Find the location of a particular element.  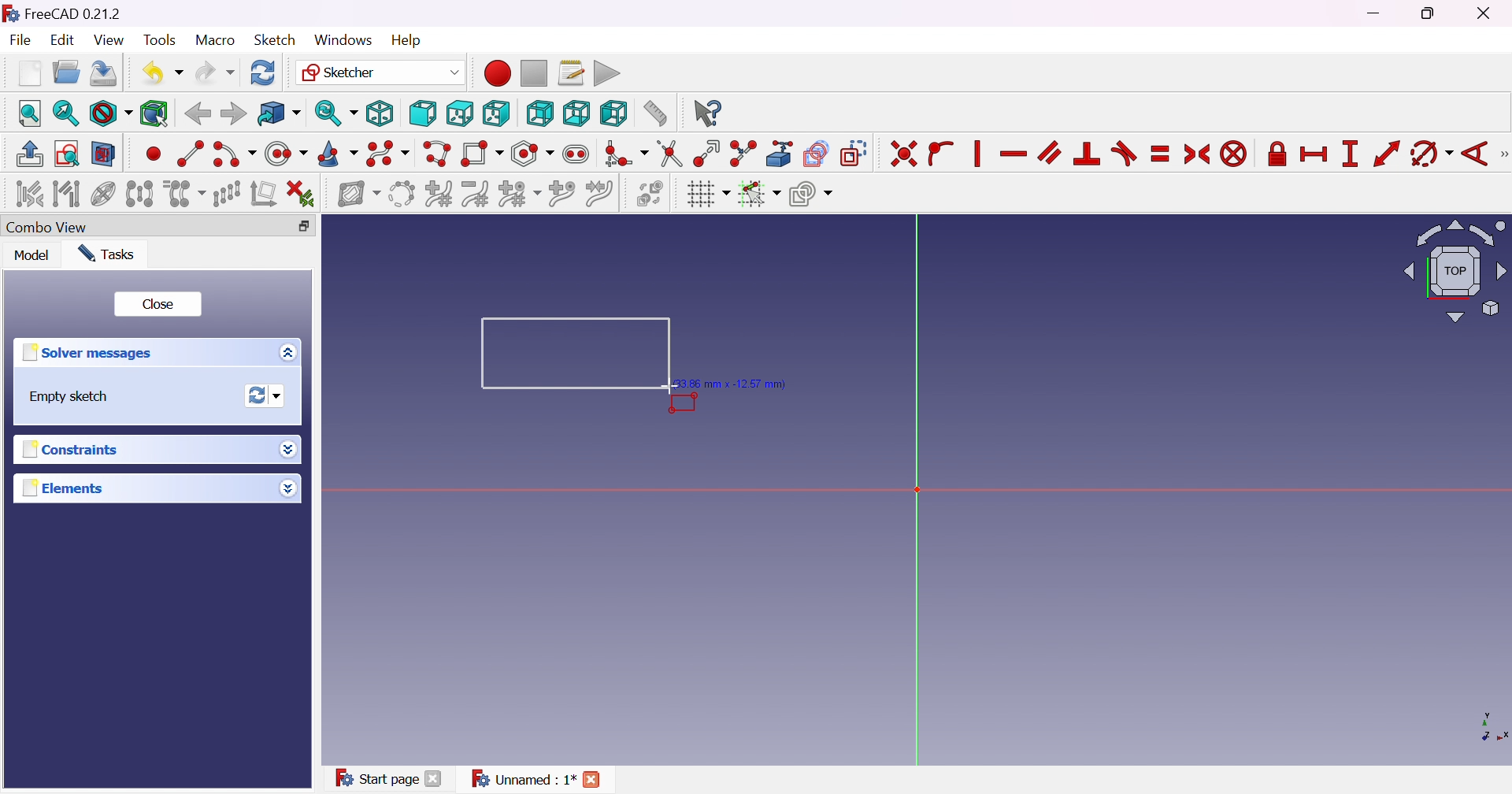

Go to linked object is located at coordinates (278, 113).